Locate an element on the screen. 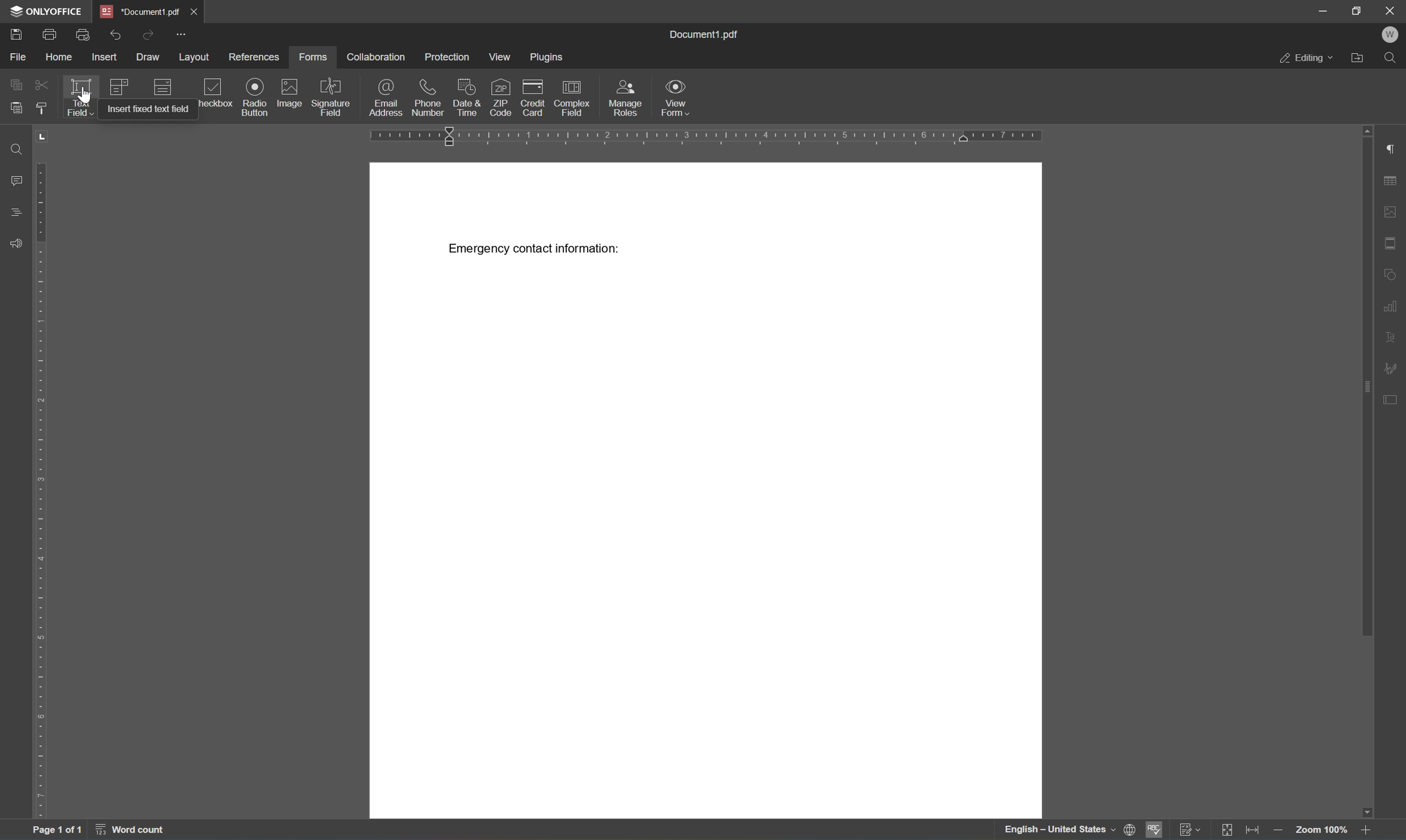 This screenshot has height=840, width=1406. checkbox is located at coordinates (212, 96).